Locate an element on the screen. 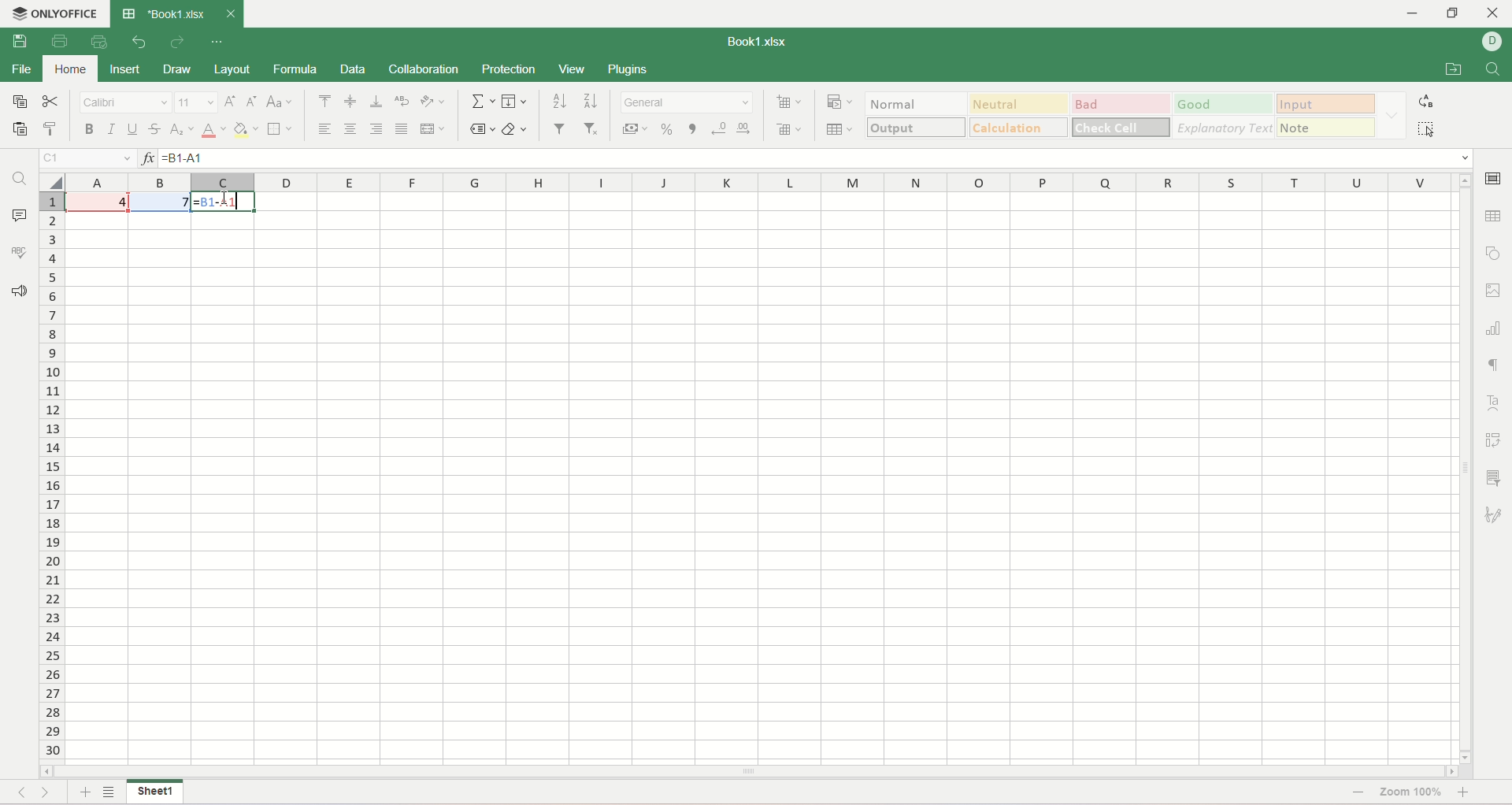 This screenshot has height=805, width=1512. check cell is located at coordinates (1119, 128).